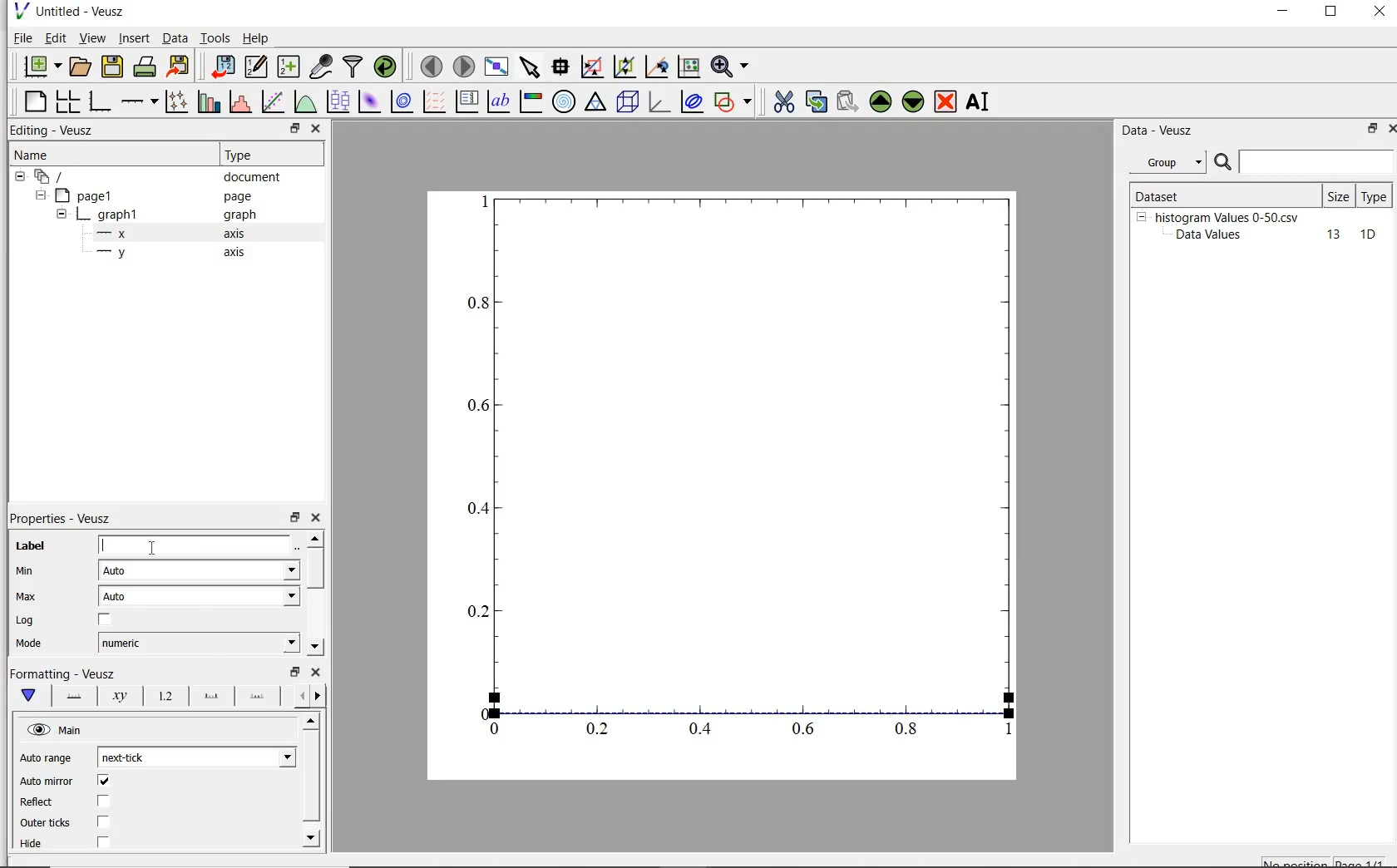  What do you see at coordinates (216, 37) in the screenshot?
I see `tools ` at bounding box center [216, 37].